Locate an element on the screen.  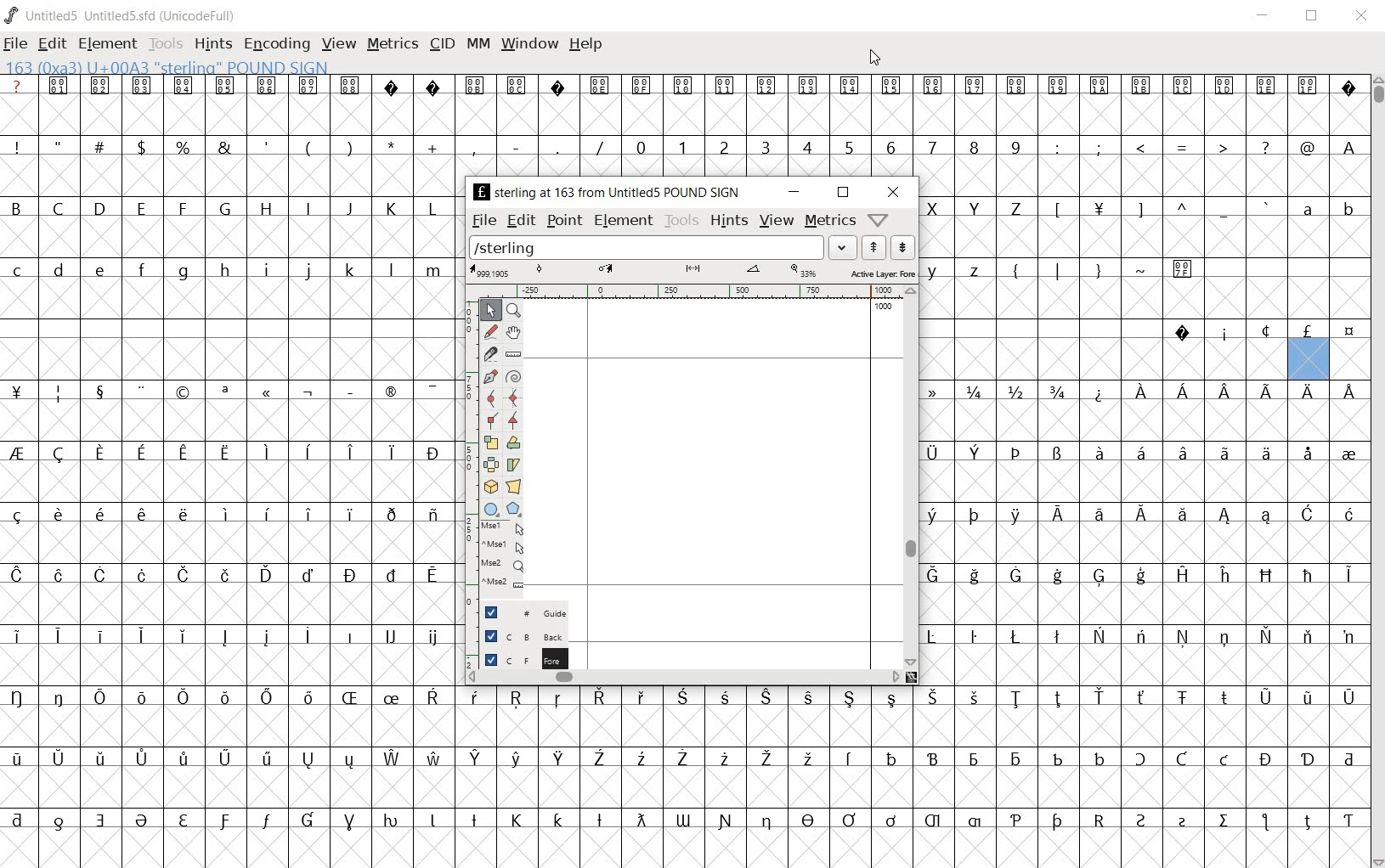
Symbol is located at coordinates (1224, 576).